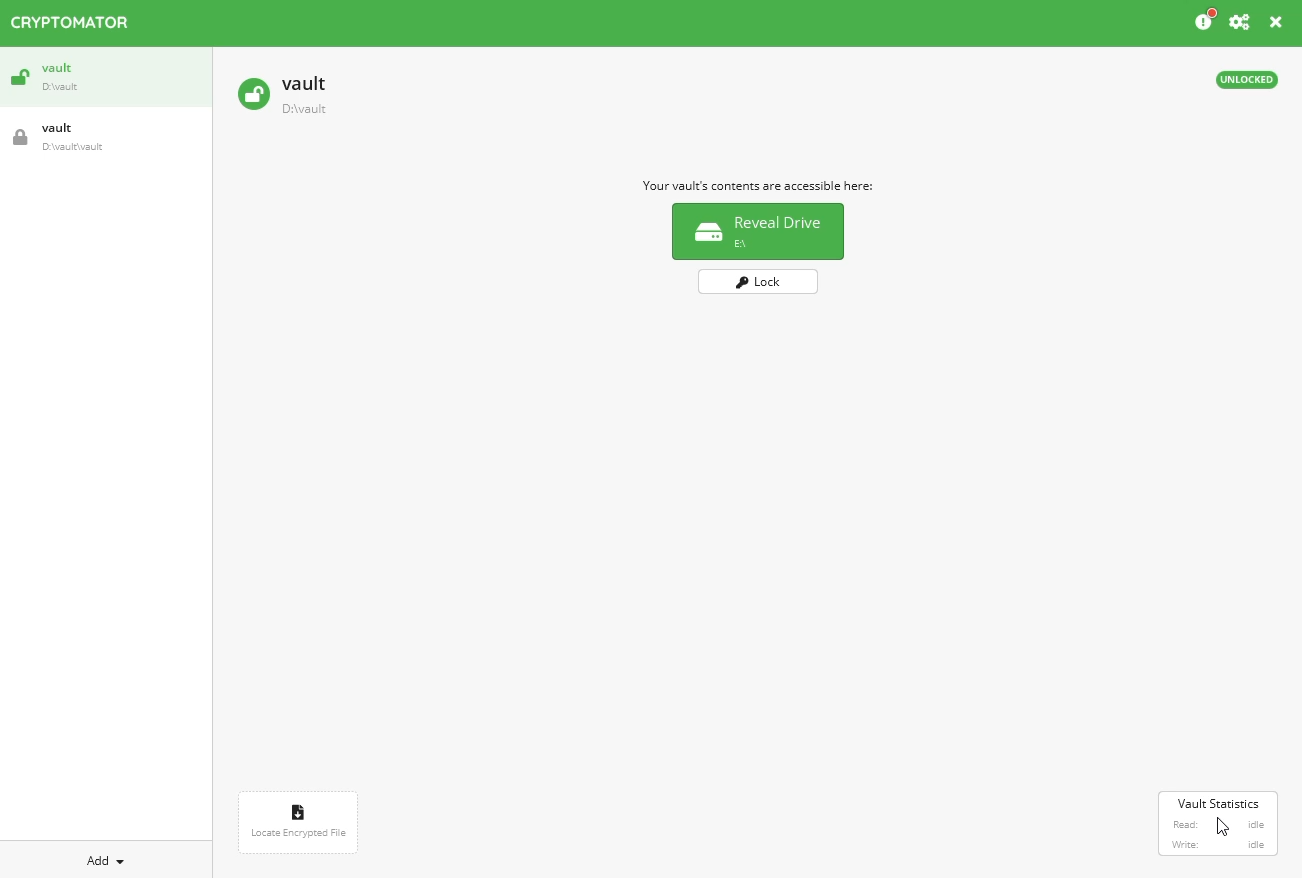 Image resolution: width=1302 pixels, height=878 pixels. What do you see at coordinates (1279, 22) in the screenshot?
I see `close` at bounding box center [1279, 22].